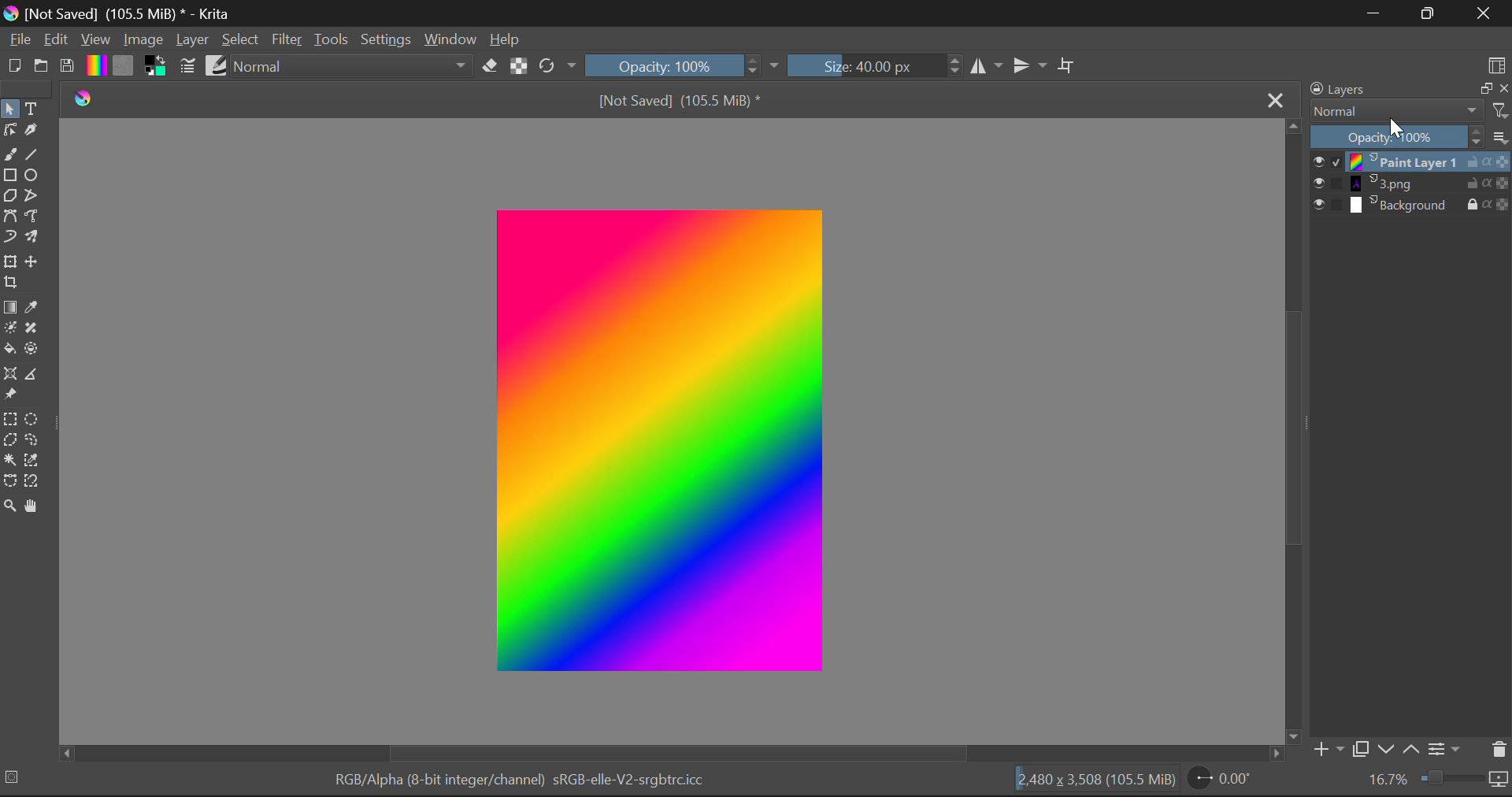 Image resolution: width=1512 pixels, height=797 pixels. I want to click on Move Layer, so click(35, 258).